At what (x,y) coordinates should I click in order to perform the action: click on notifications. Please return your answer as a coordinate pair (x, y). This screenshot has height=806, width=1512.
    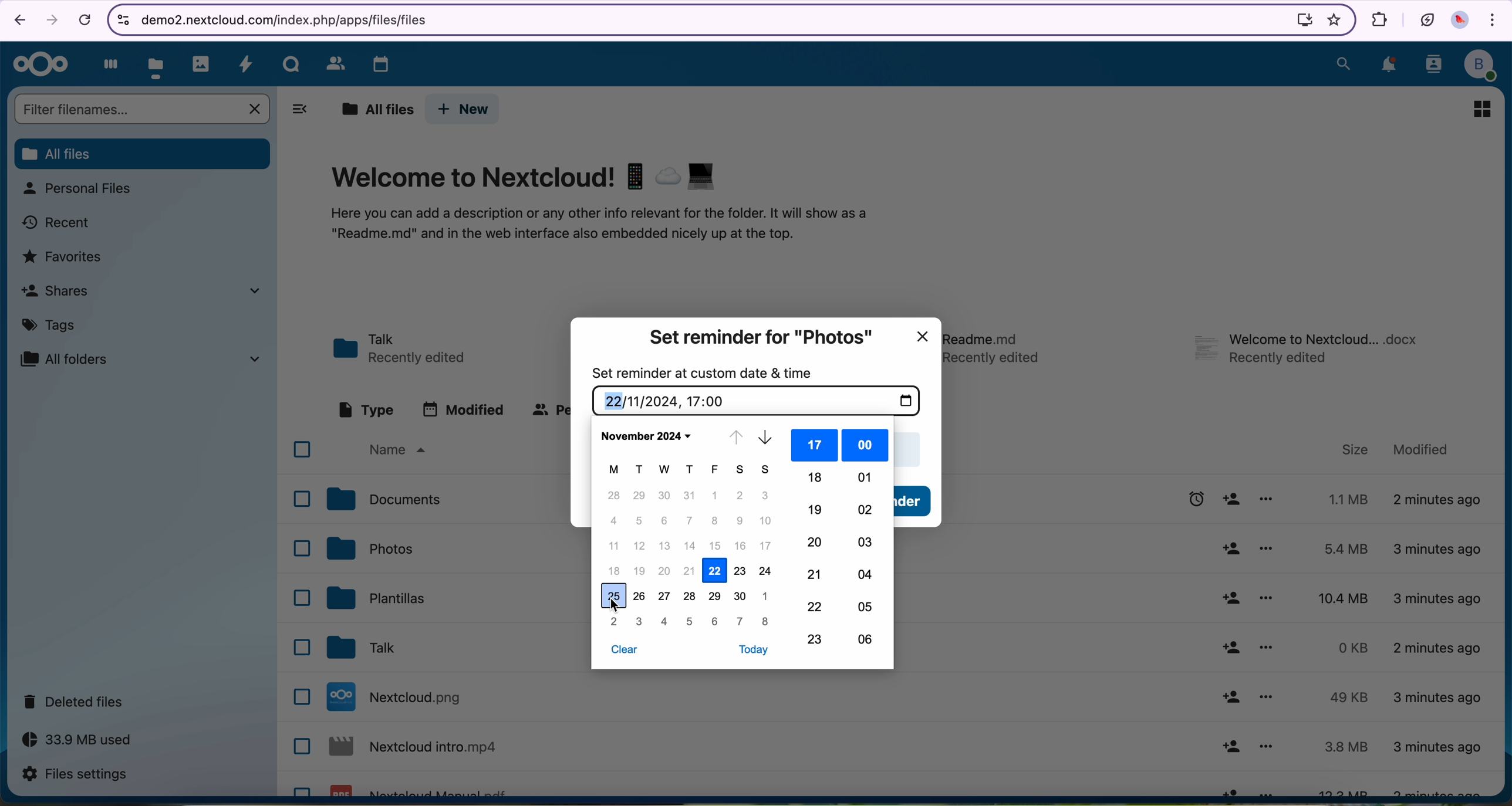
    Looking at the image, I should click on (1388, 66).